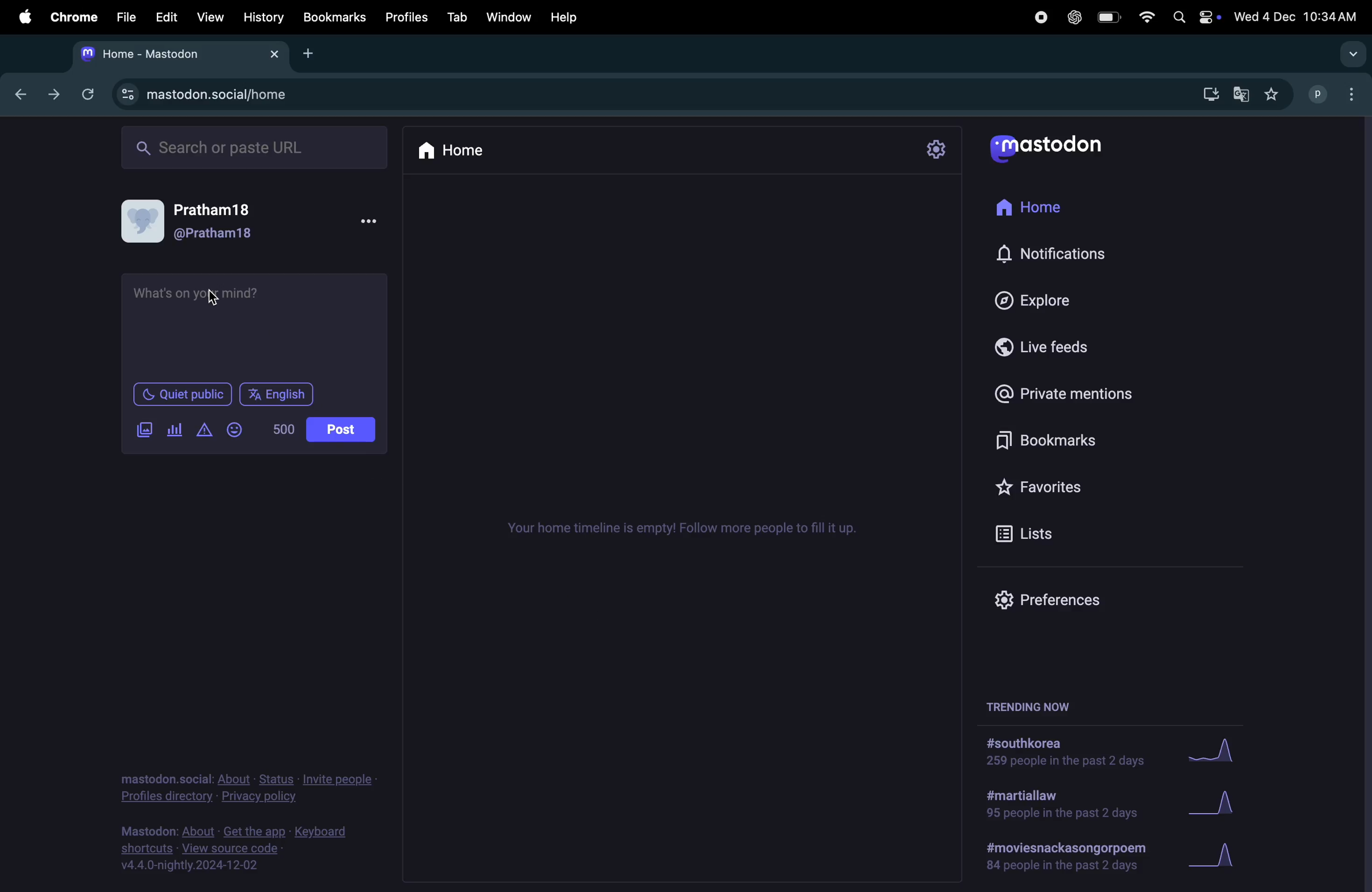 Image resolution: width=1372 pixels, height=892 pixels. What do you see at coordinates (286, 429) in the screenshot?
I see `500 words` at bounding box center [286, 429].